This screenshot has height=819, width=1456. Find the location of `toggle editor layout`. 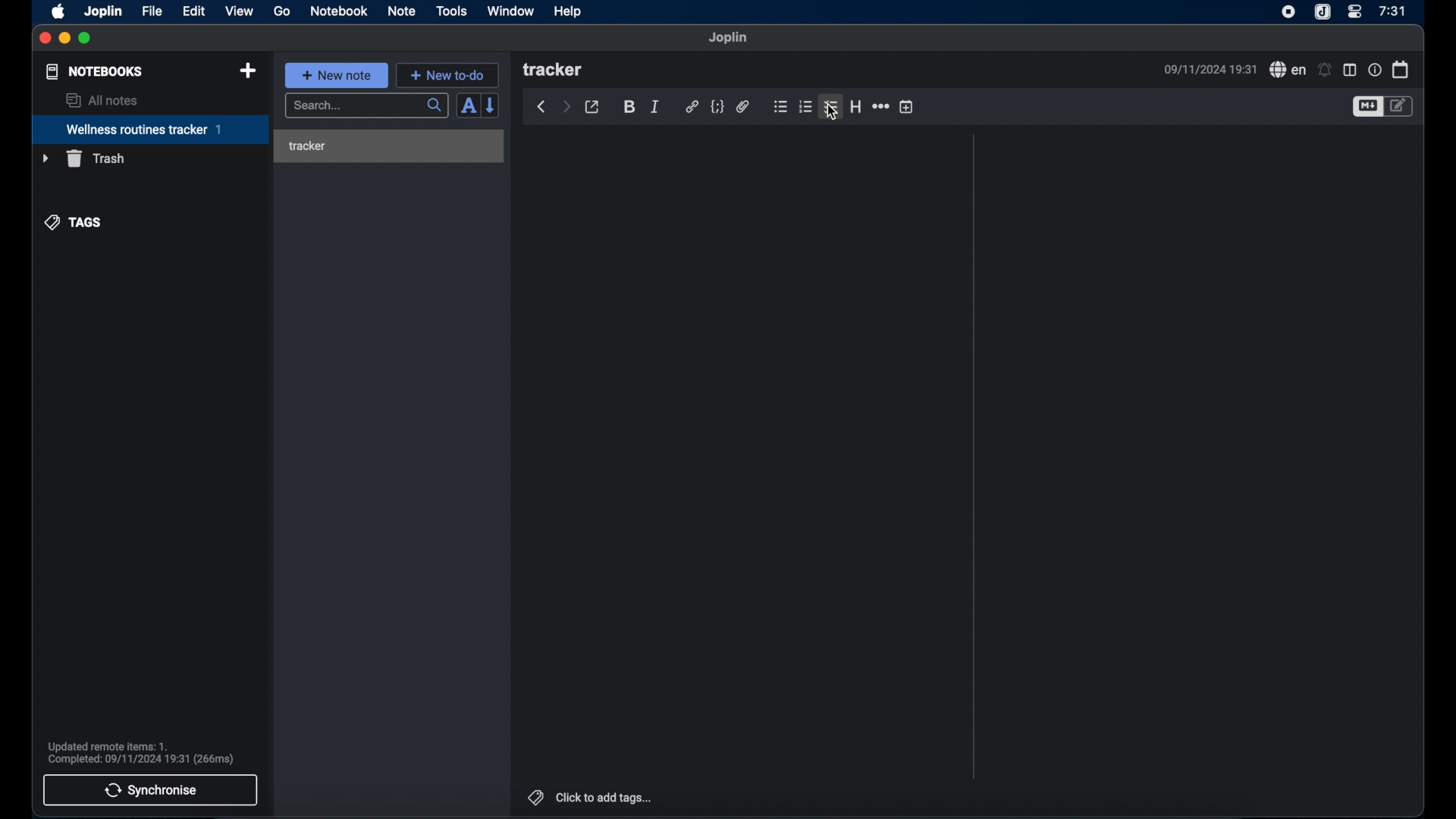

toggle editor layout is located at coordinates (1349, 70).